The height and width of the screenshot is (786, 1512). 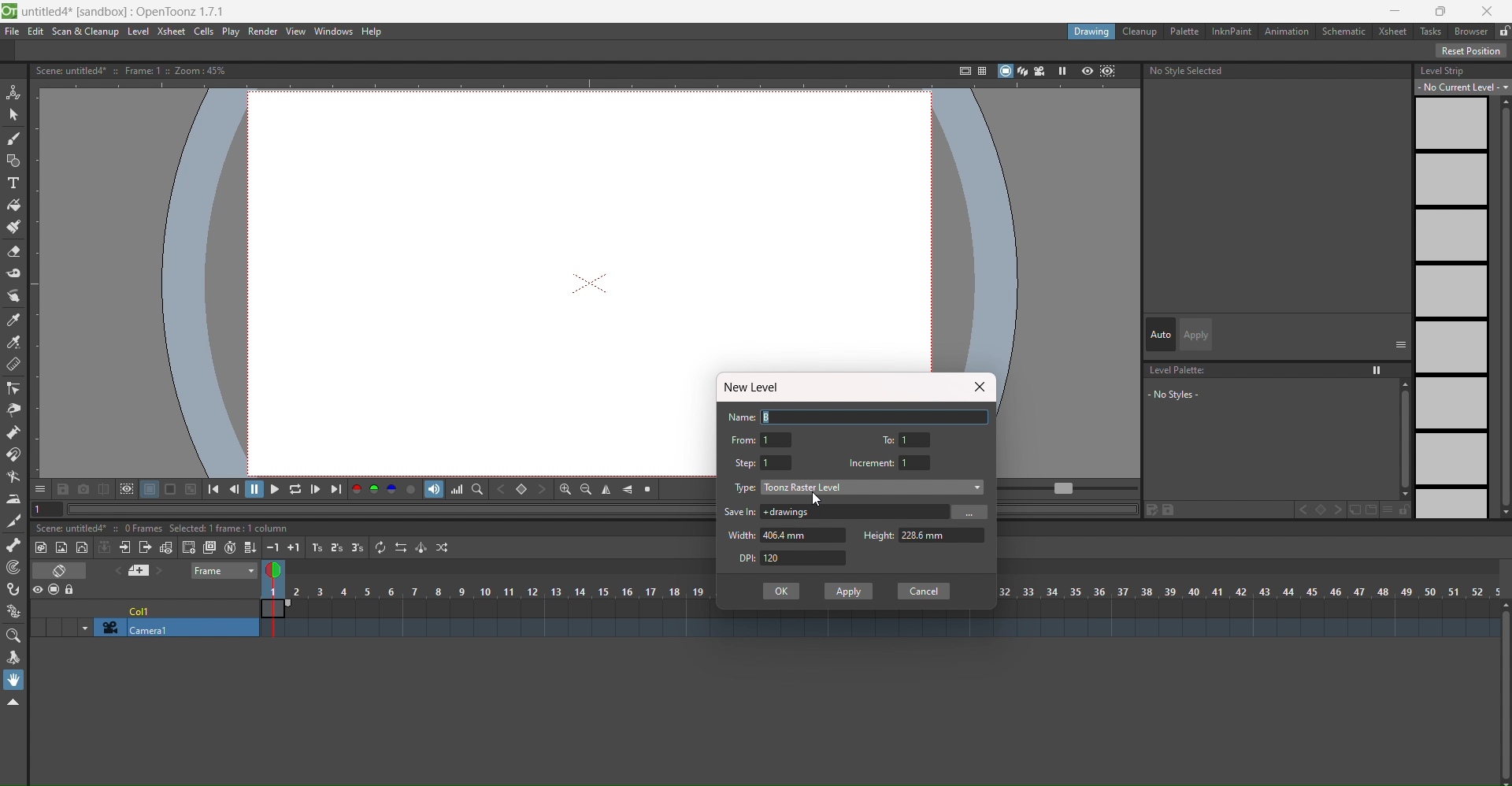 I want to click on Scroll bar, so click(x=1503, y=693).